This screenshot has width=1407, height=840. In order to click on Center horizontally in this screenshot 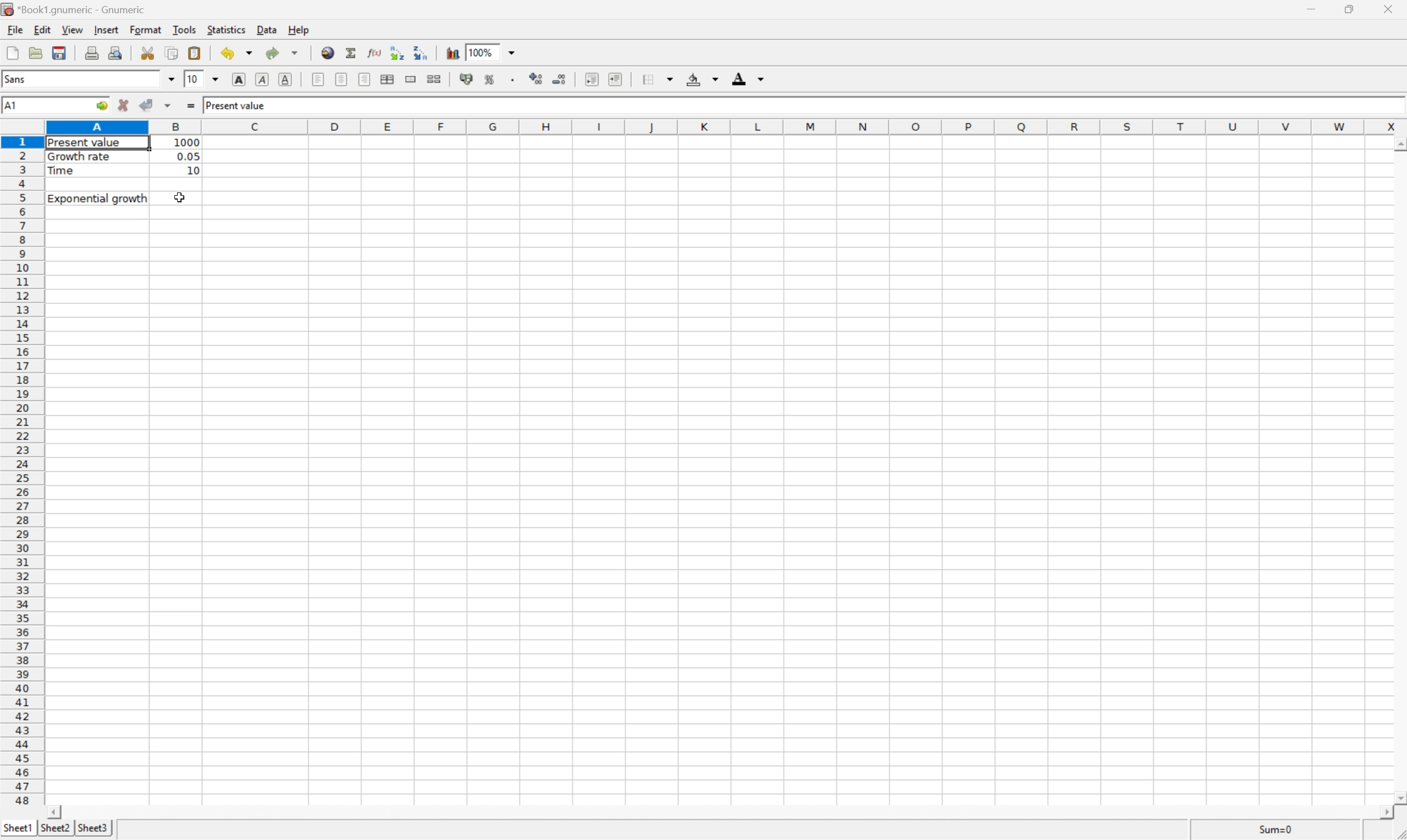, I will do `click(343, 79)`.